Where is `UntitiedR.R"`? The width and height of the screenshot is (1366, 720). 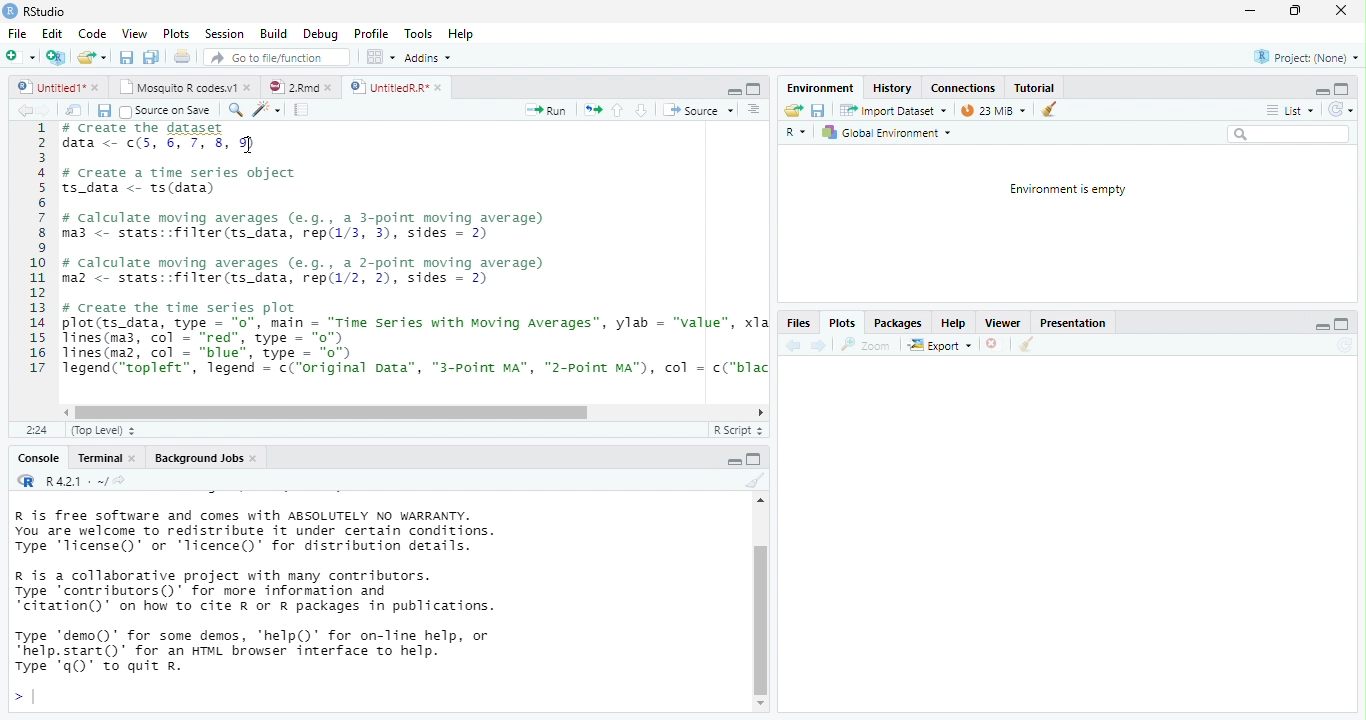
UntitiedR.R" is located at coordinates (387, 87).